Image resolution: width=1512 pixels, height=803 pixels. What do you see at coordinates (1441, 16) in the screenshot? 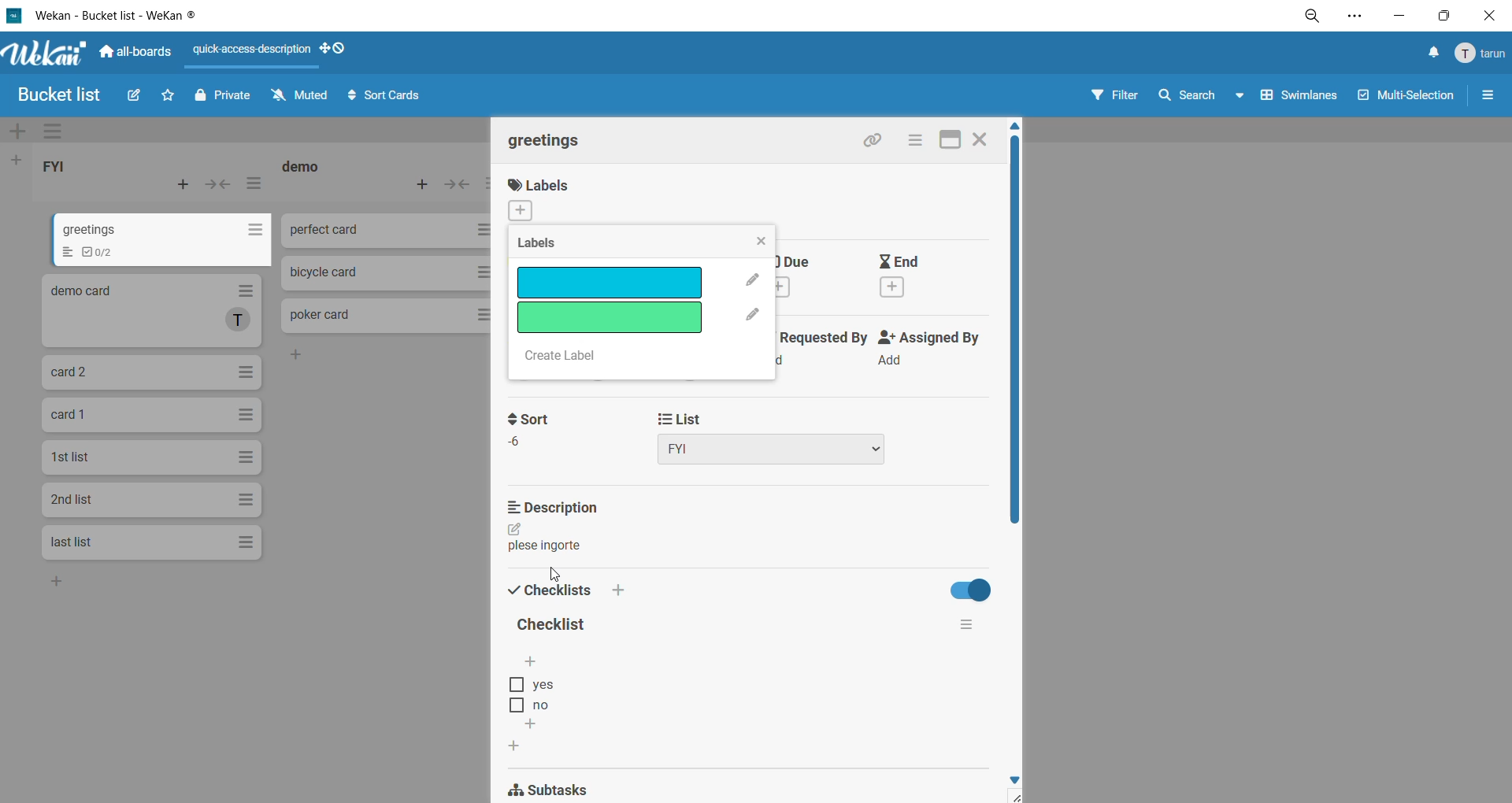
I see `maximize` at bounding box center [1441, 16].